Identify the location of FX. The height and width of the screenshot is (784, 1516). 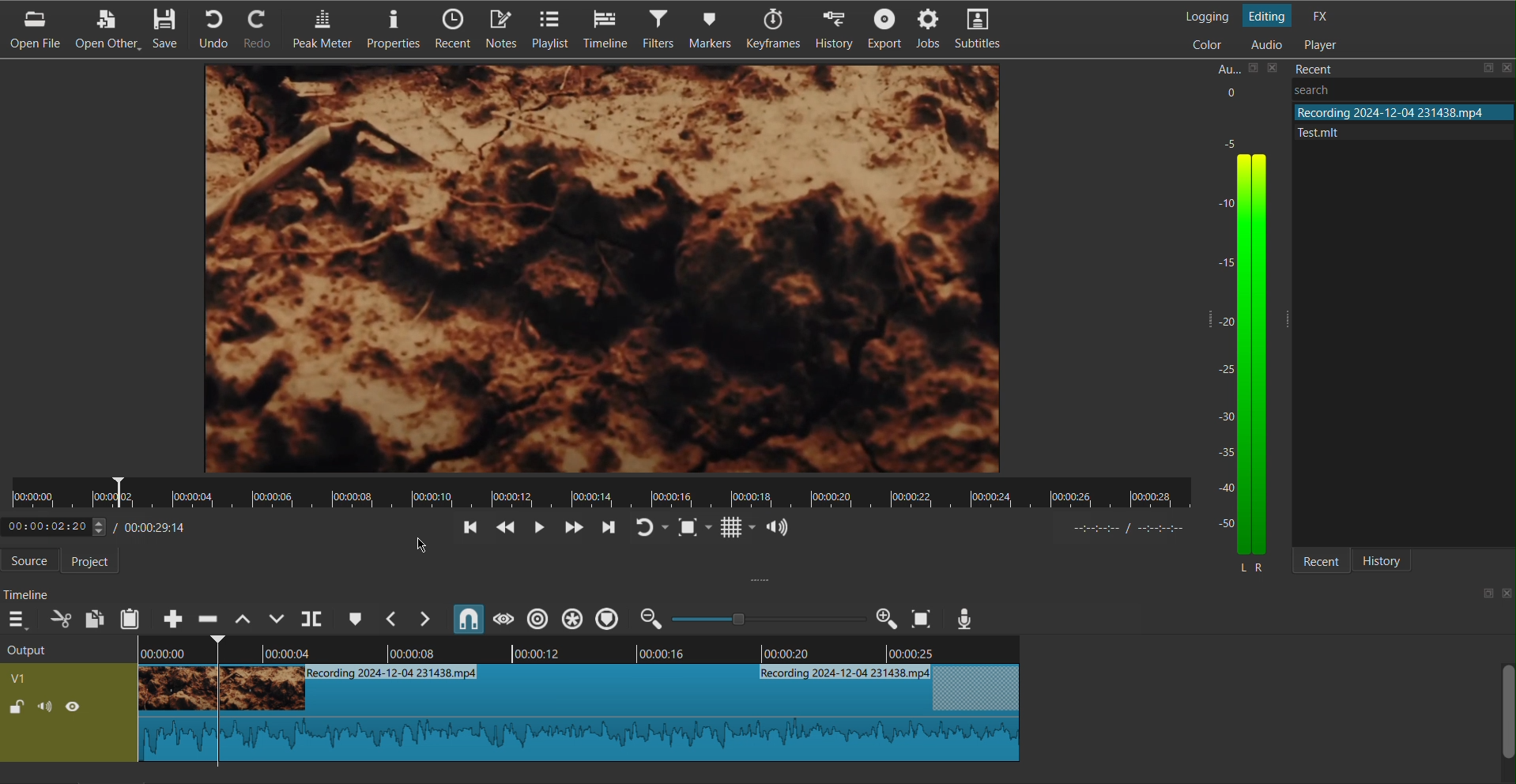
(1320, 14).